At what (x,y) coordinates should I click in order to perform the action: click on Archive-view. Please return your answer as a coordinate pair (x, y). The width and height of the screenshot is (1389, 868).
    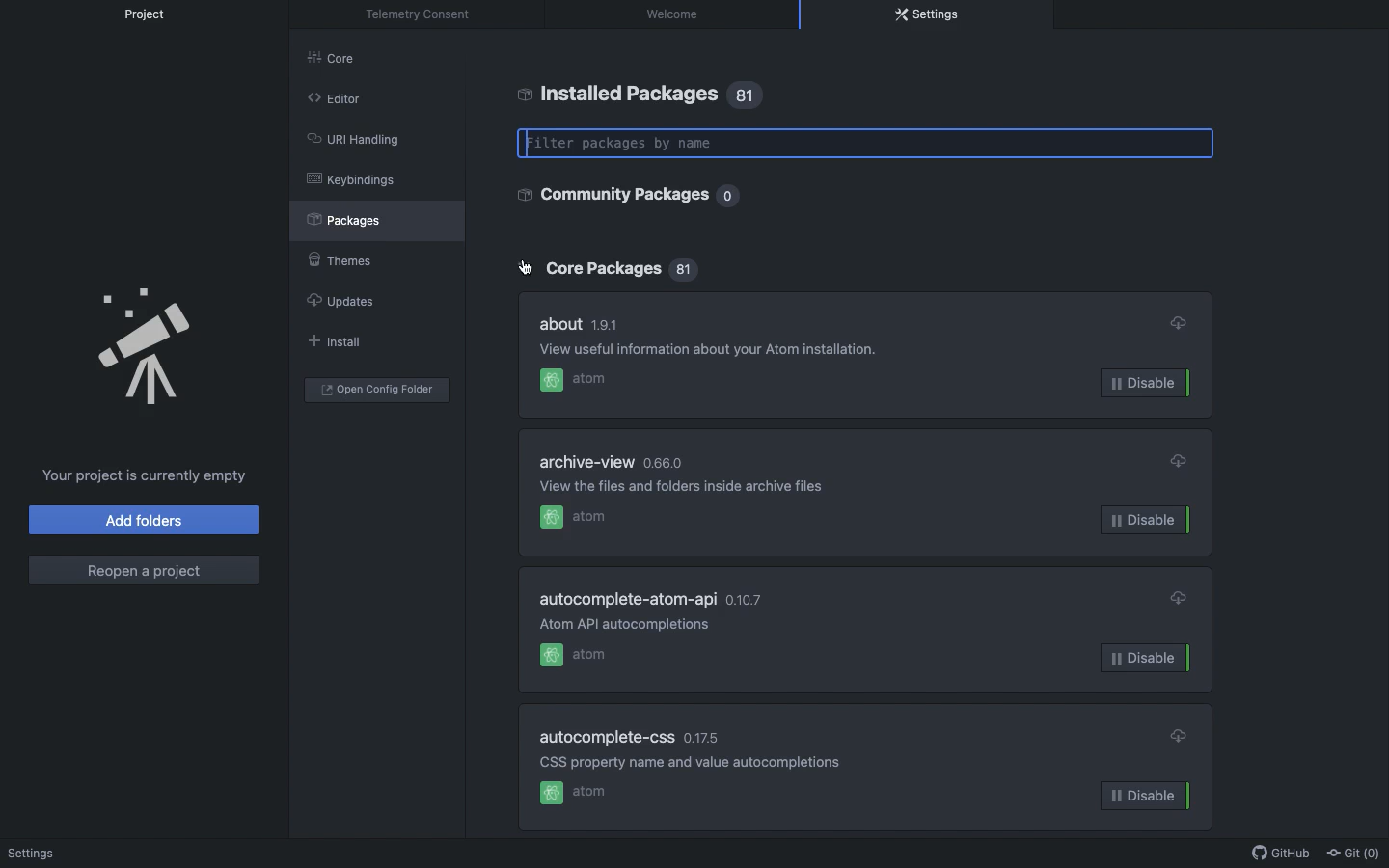
    Looking at the image, I should click on (589, 463).